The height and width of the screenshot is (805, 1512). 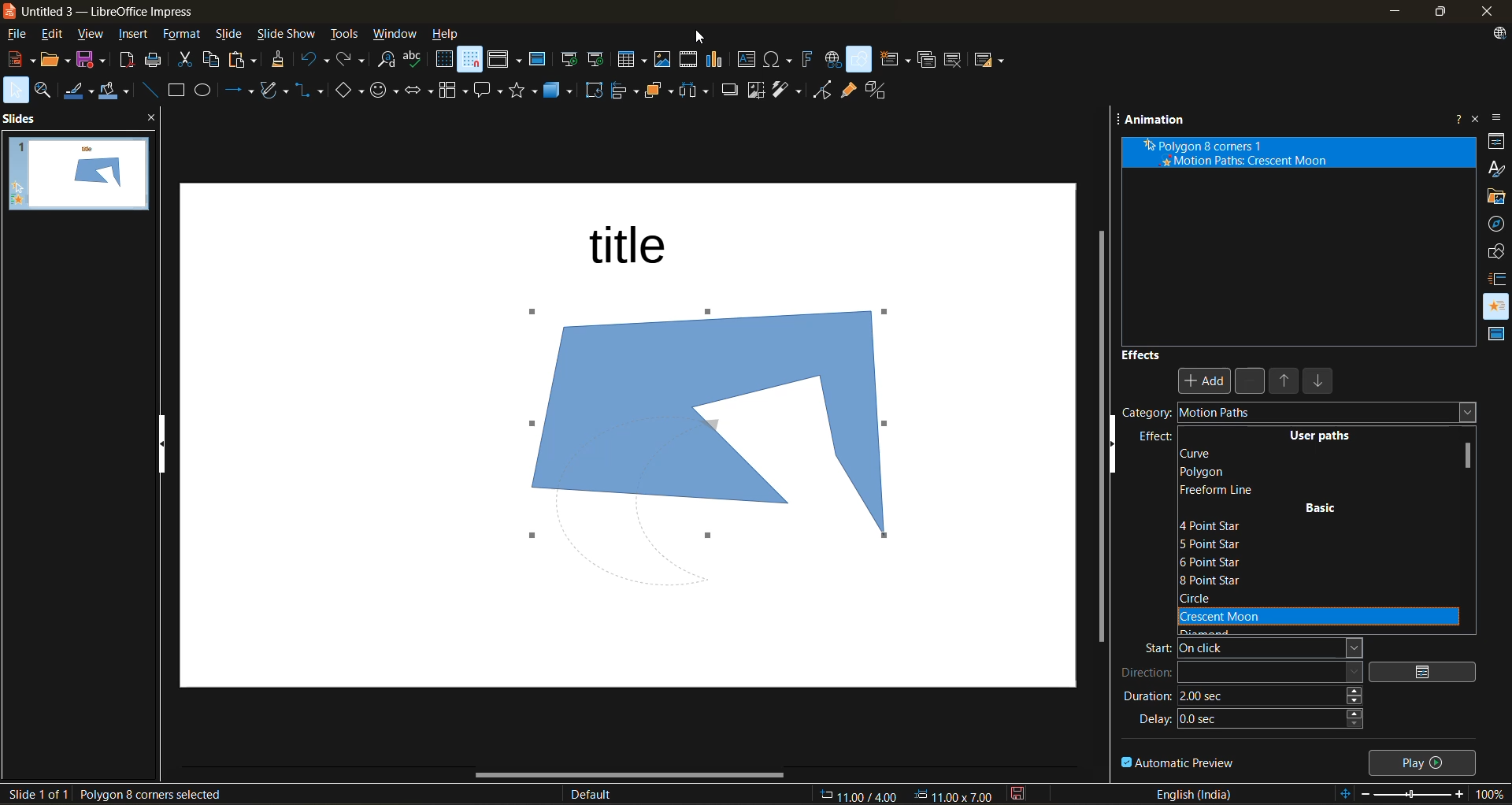 What do you see at coordinates (37, 795) in the screenshot?
I see `slide details` at bounding box center [37, 795].